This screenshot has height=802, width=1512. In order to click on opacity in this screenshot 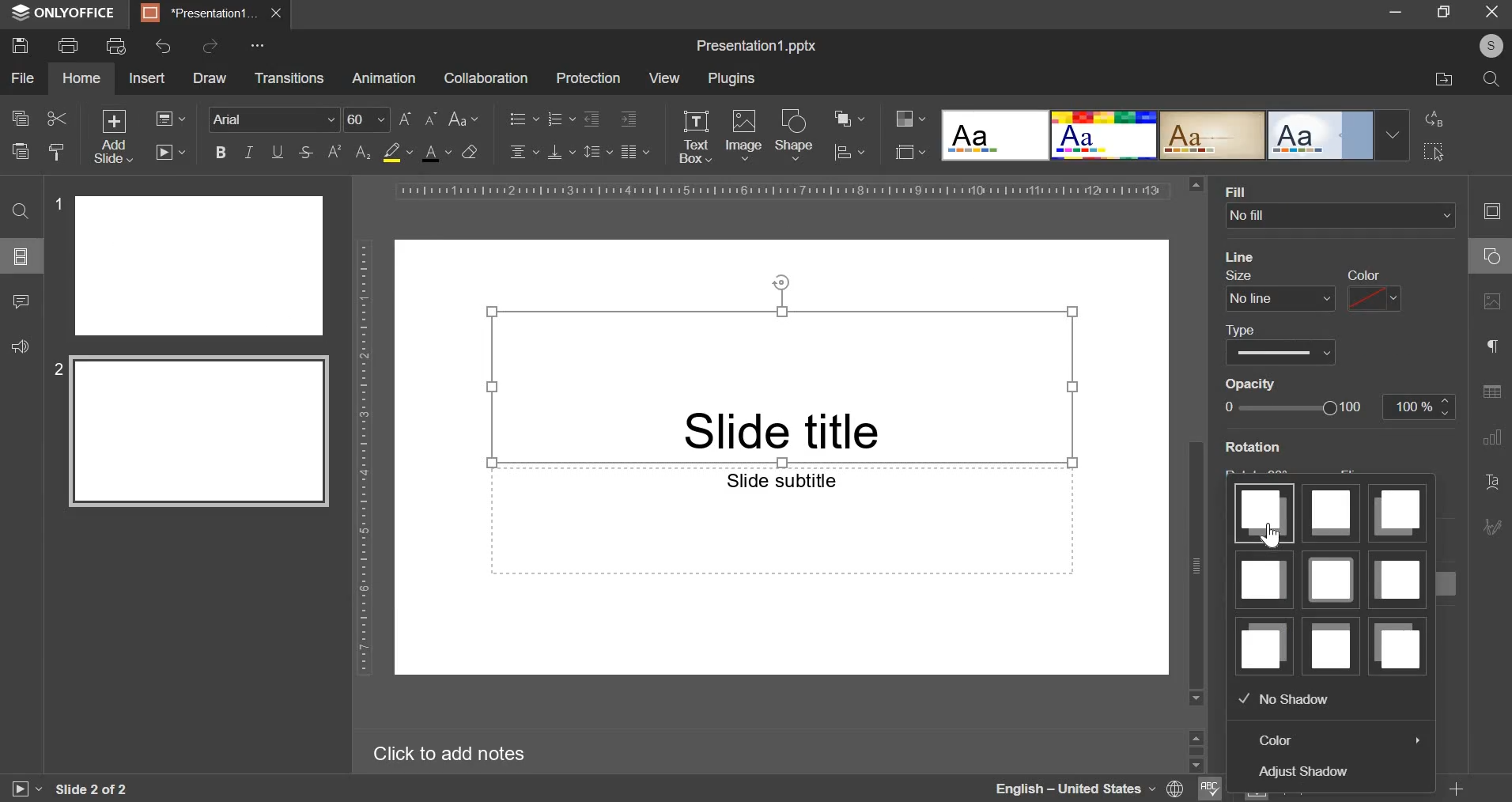, I will do `click(1258, 384)`.